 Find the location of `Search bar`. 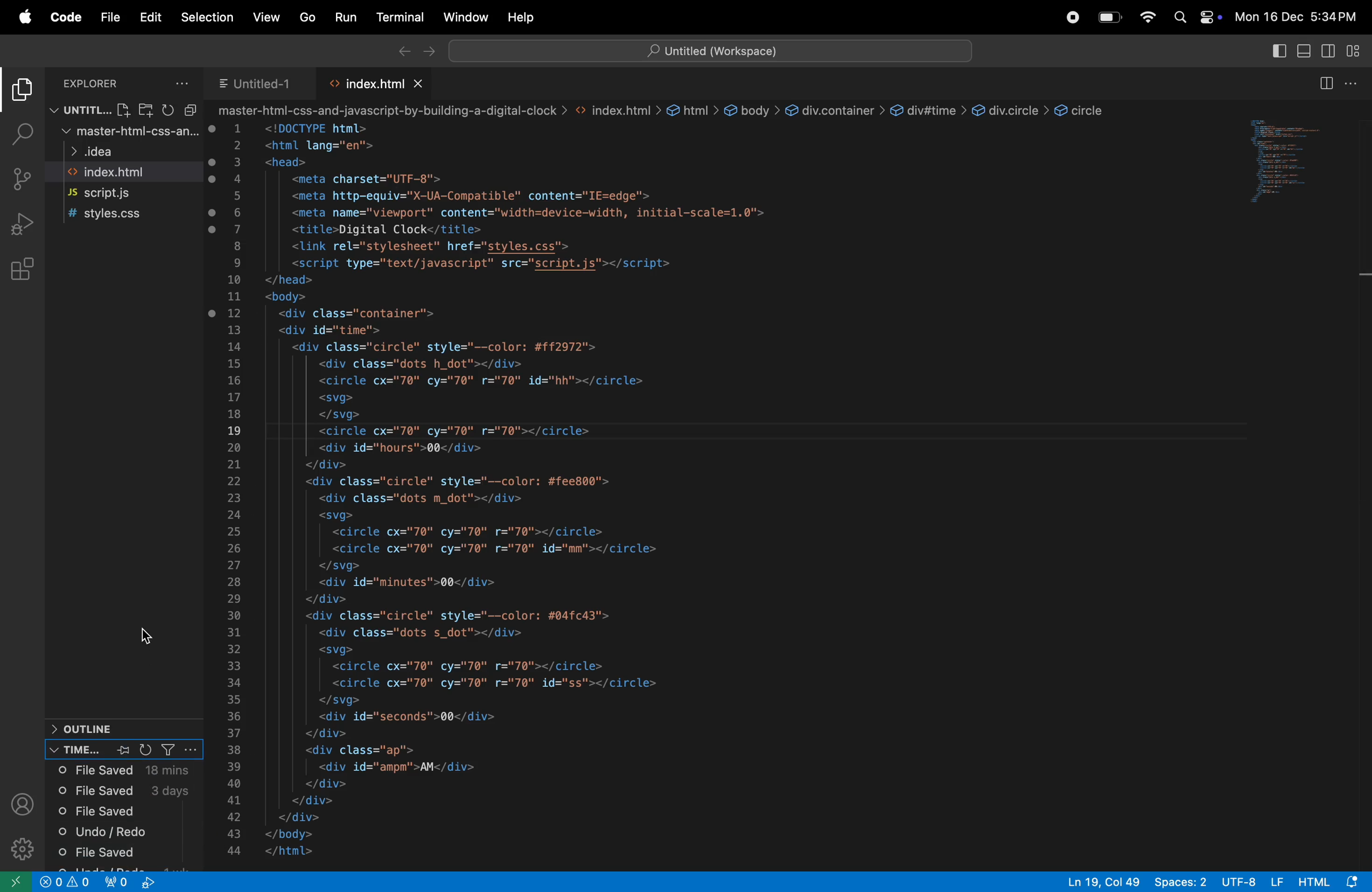

Search bar is located at coordinates (710, 49).